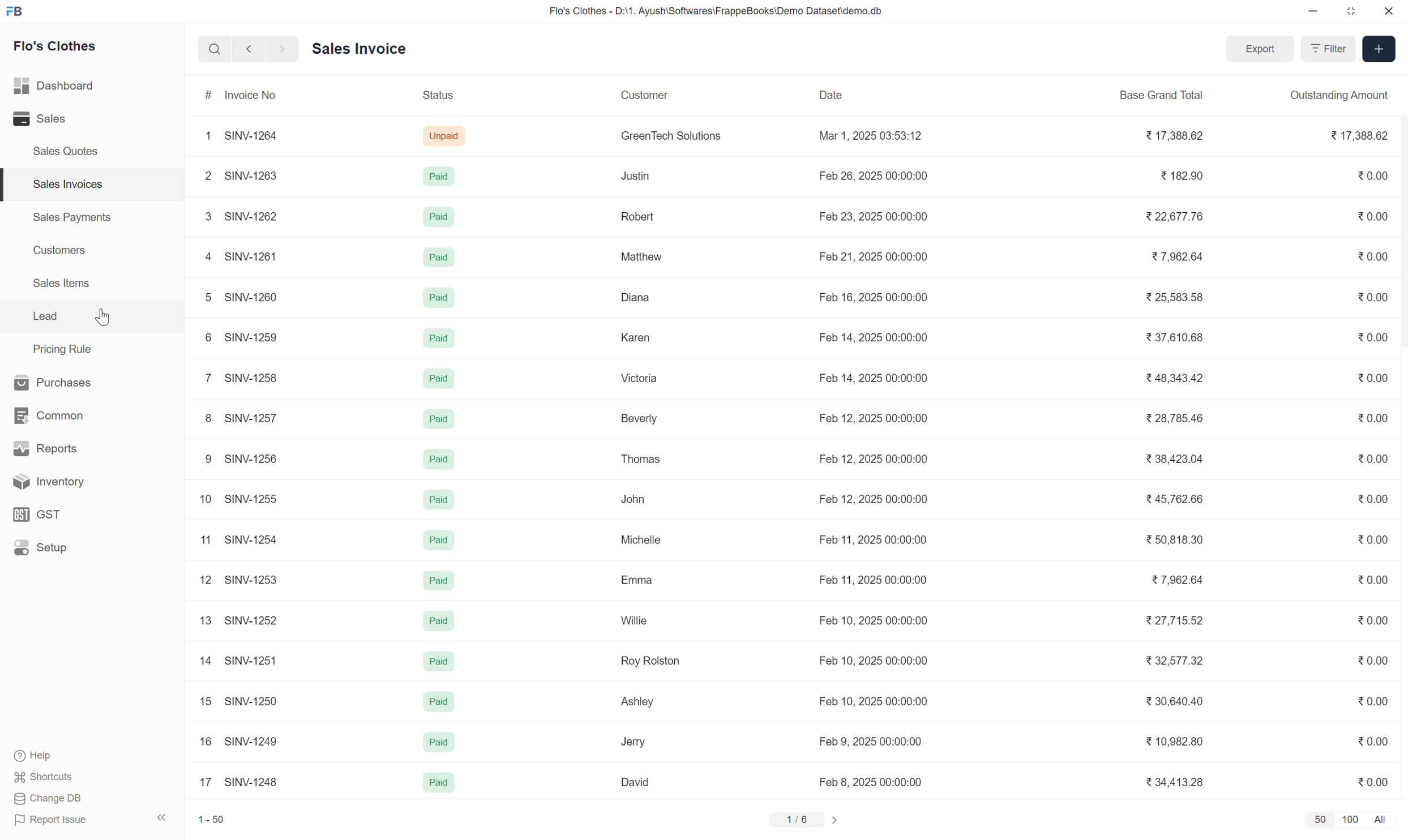 This screenshot has height=840, width=1408. What do you see at coordinates (212, 817) in the screenshot?
I see `1-50` at bounding box center [212, 817].